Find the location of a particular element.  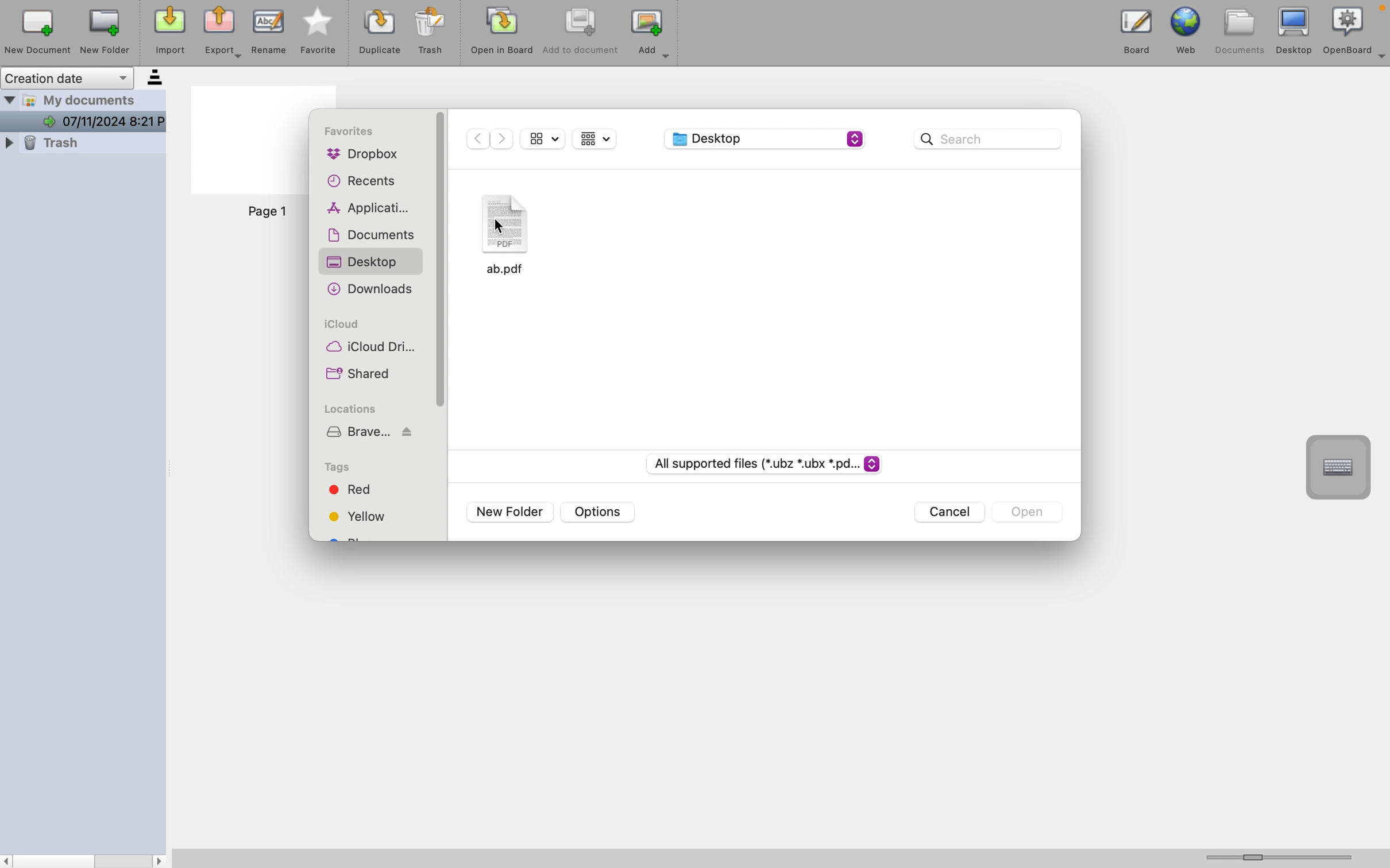

navigation buttons is located at coordinates (492, 140).